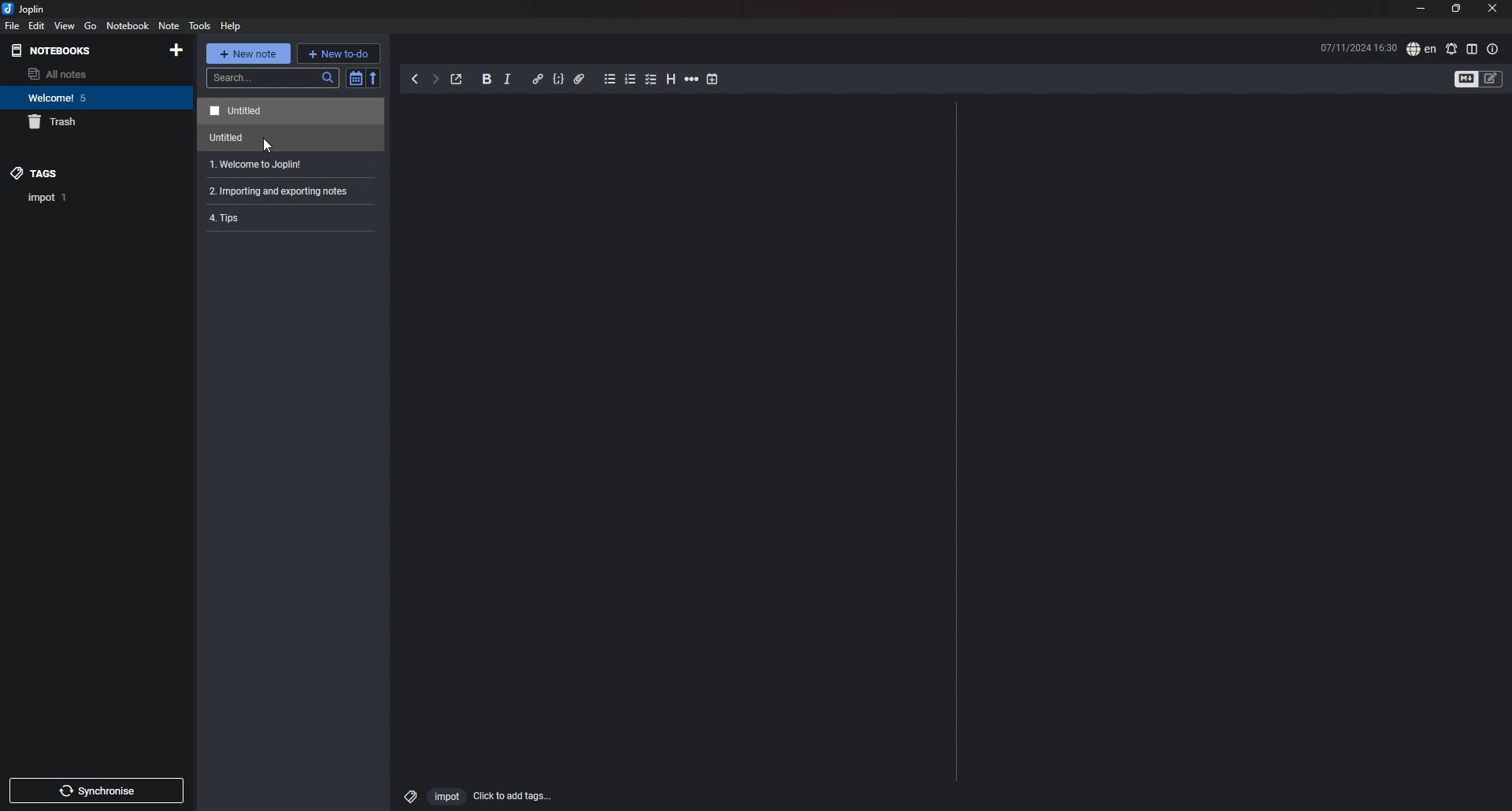 Image resolution: width=1512 pixels, height=811 pixels. What do you see at coordinates (231, 26) in the screenshot?
I see `HELP` at bounding box center [231, 26].